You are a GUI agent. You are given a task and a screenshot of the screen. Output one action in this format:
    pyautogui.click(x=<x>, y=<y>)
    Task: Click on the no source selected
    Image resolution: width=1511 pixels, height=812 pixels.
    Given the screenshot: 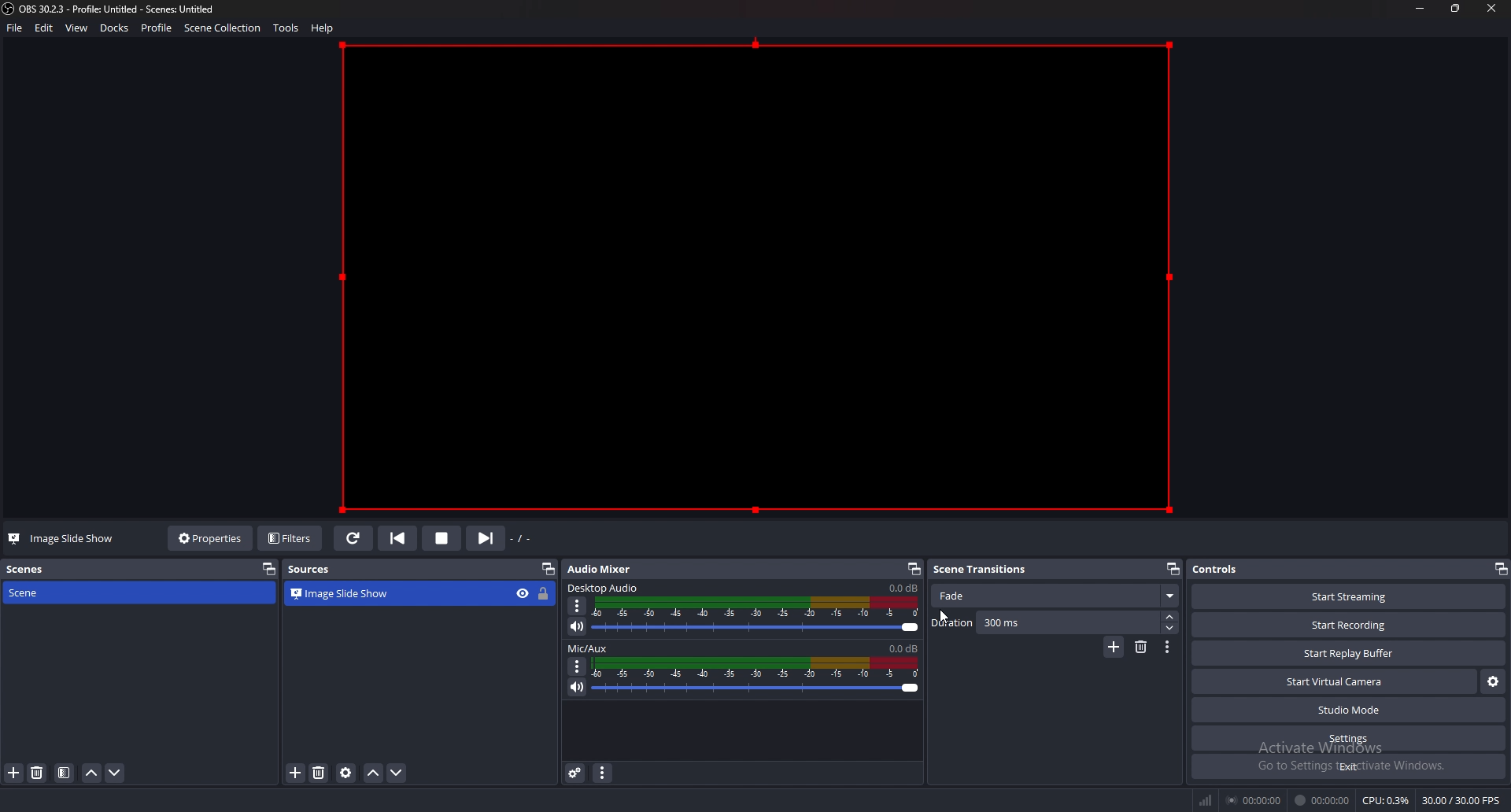 What is the action you would take?
    pyautogui.click(x=54, y=539)
    